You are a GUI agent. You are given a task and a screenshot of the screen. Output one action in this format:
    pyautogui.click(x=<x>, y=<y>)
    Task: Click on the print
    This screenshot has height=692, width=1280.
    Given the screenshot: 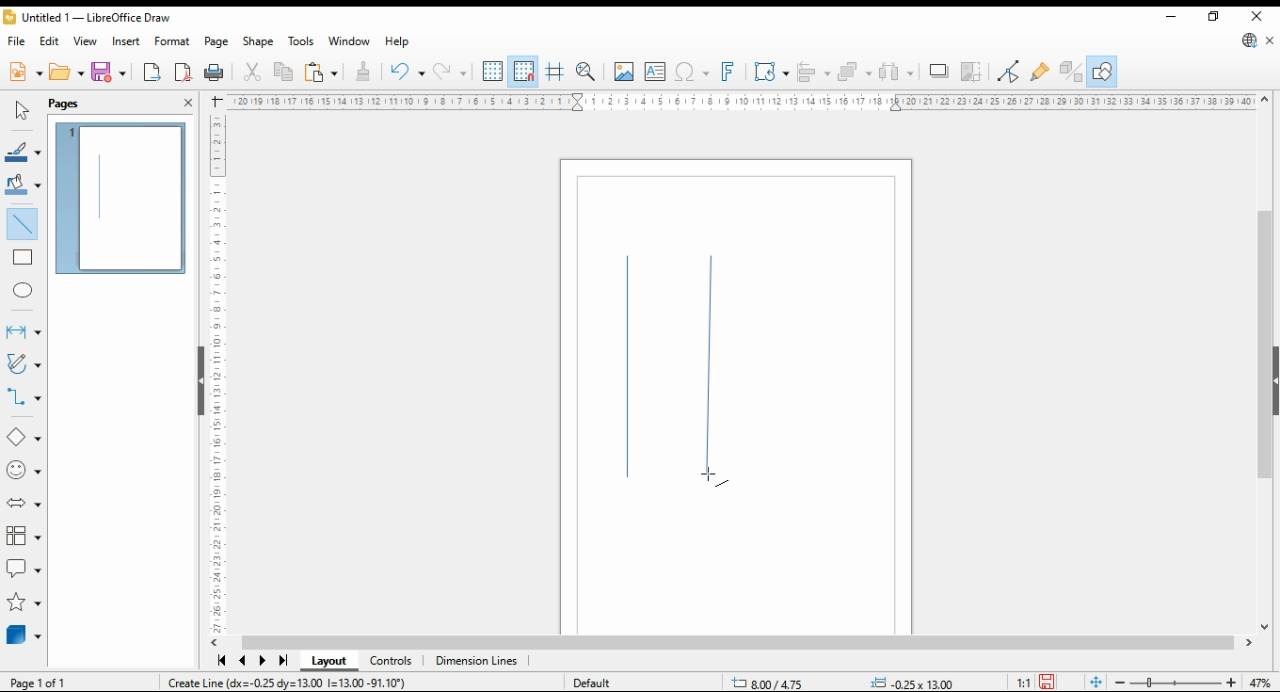 What is the action you would take?
    pyautogui.click(x=215, y=71)
    